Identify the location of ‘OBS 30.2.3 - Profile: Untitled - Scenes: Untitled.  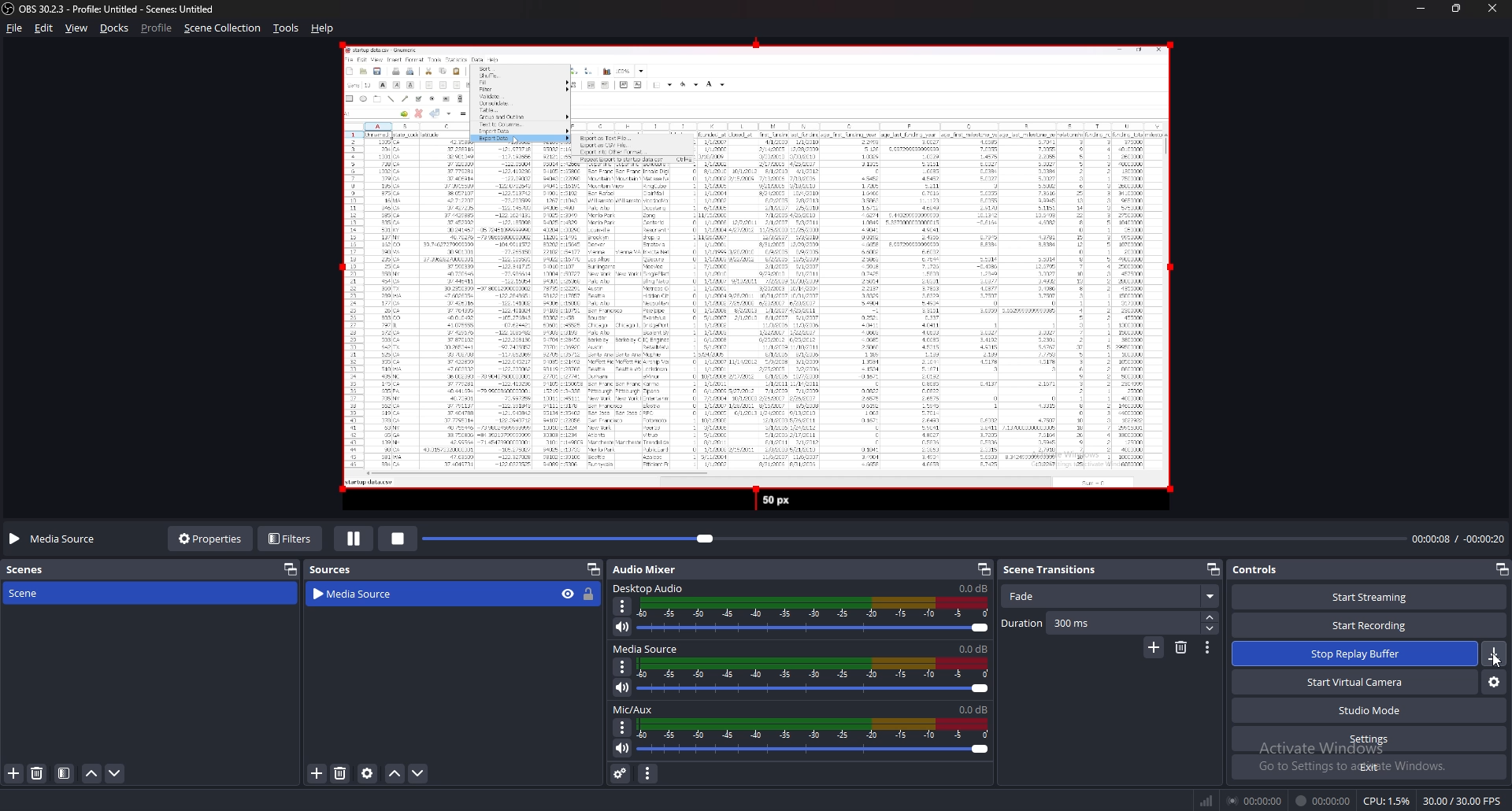
(123, 9).